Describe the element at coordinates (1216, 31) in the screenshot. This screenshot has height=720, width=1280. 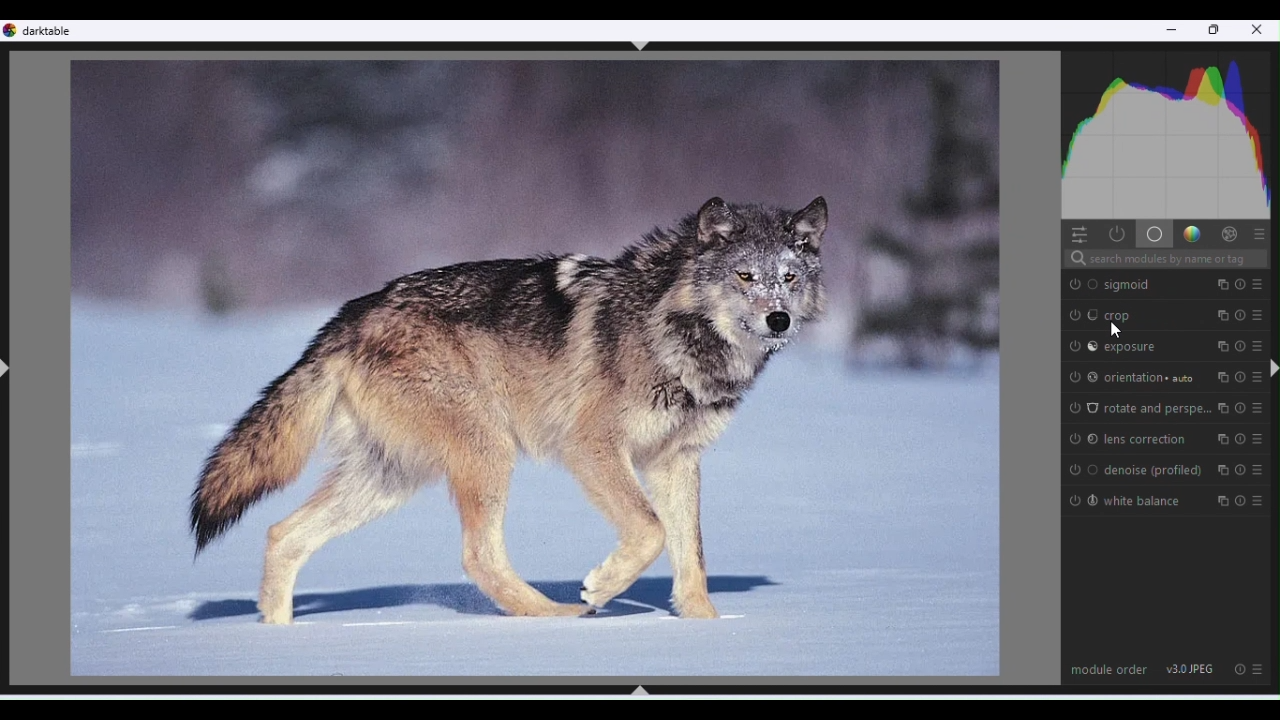
I see `Restore` at that location.